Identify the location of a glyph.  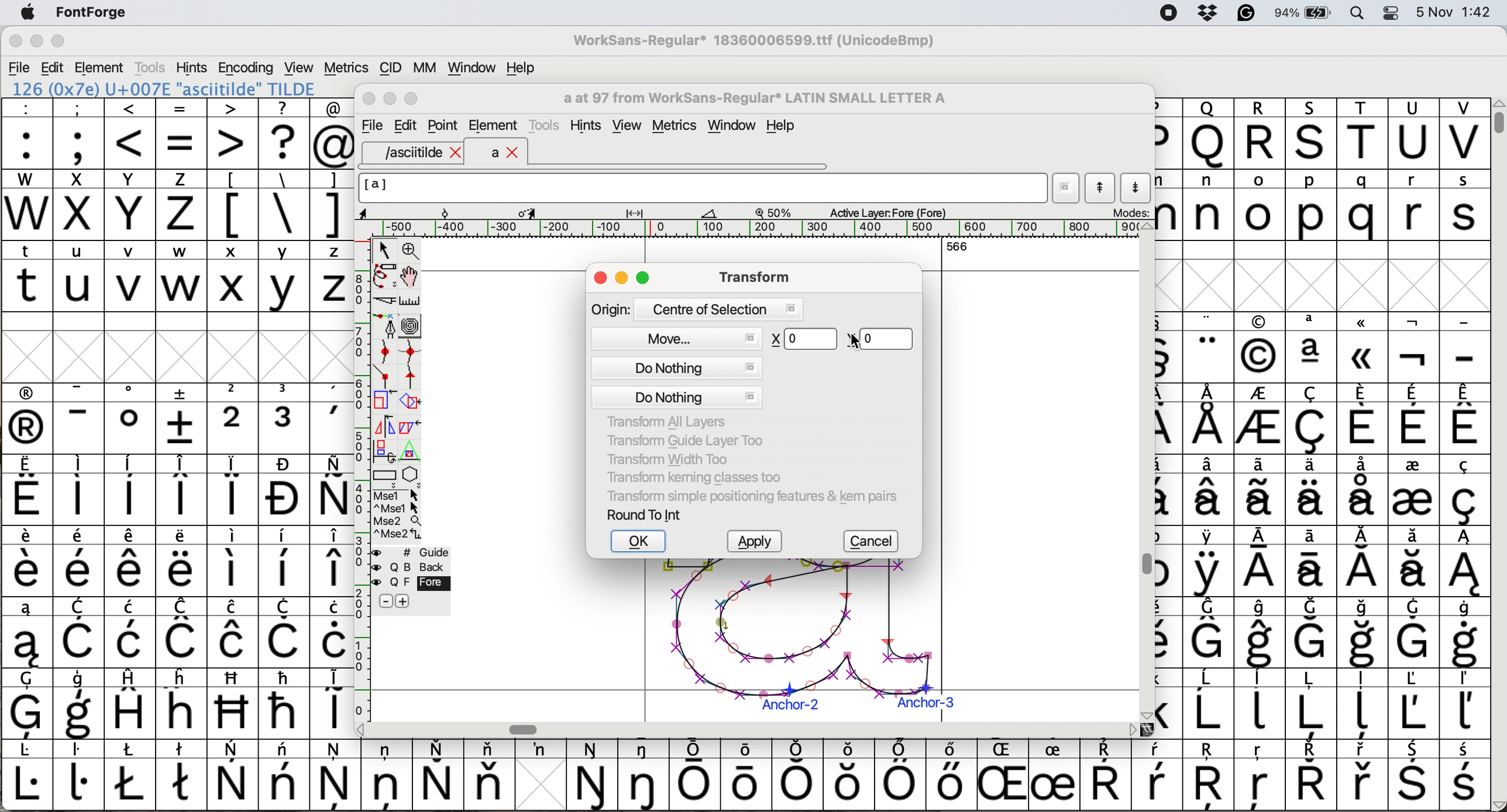
(798, 640).